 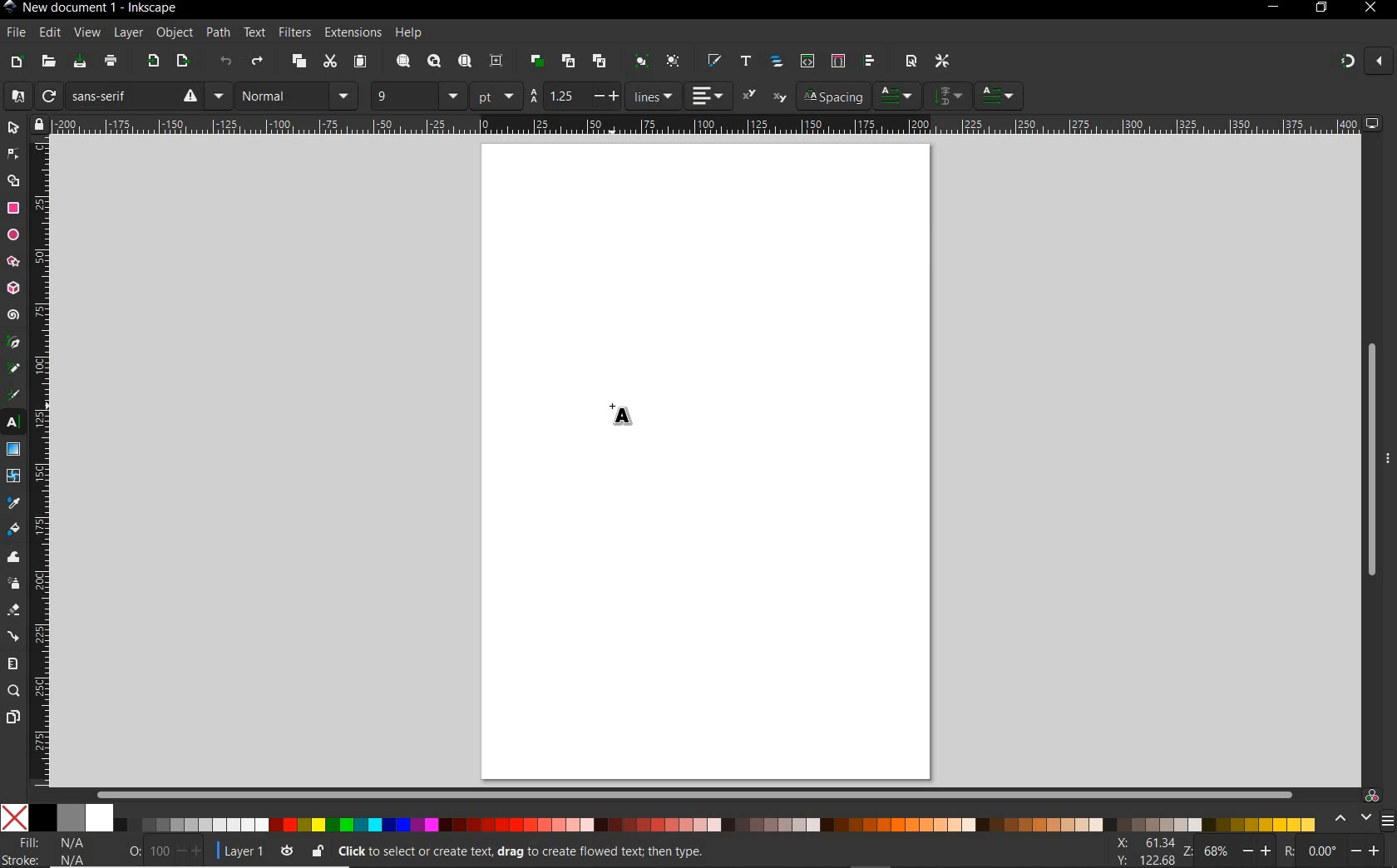 I want to click on increase/decrease, so click(x=1259, y=850).